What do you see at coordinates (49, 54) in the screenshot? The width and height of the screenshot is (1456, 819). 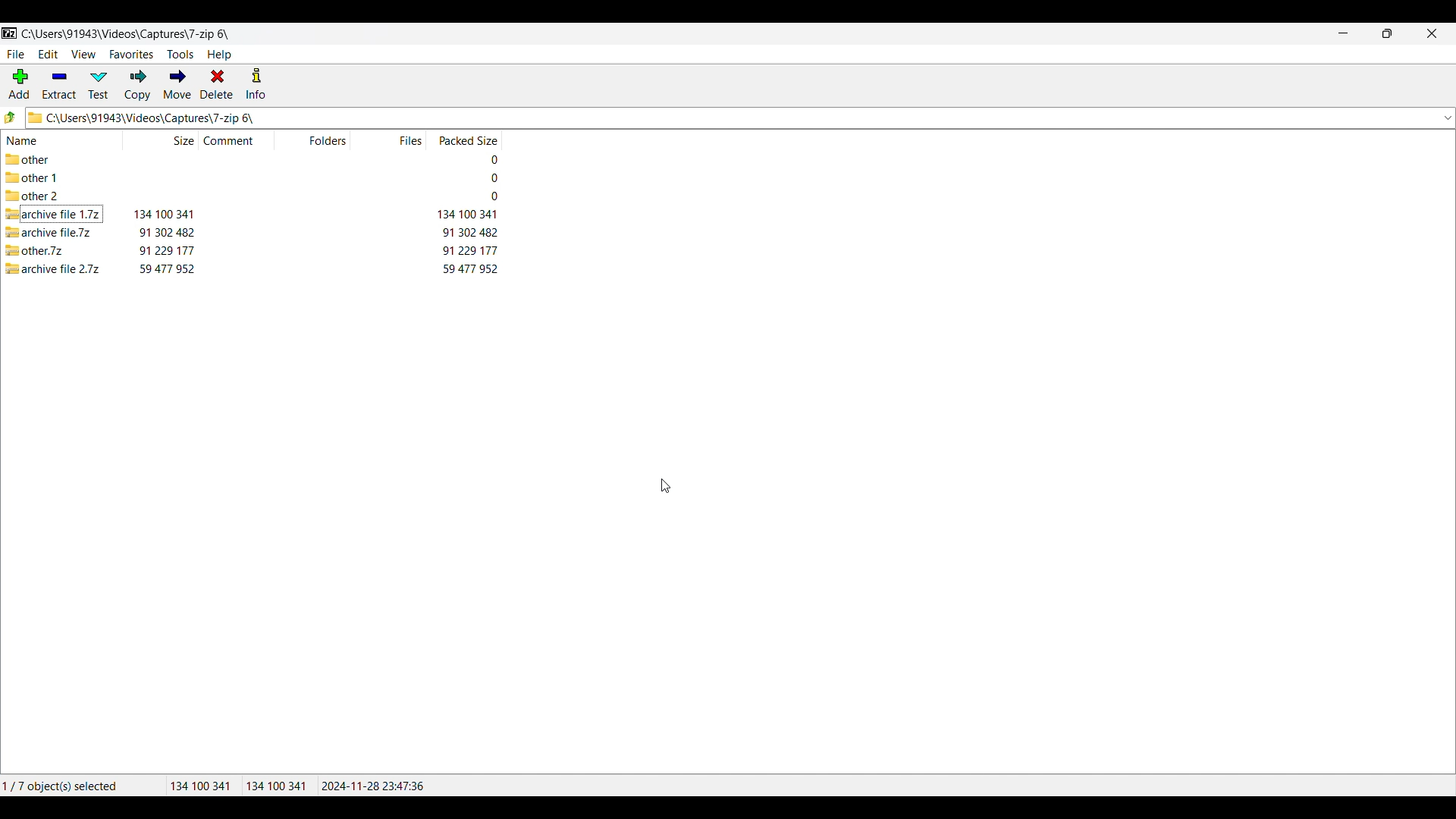 I see `Edit menu` at bounding box center [49, 54].